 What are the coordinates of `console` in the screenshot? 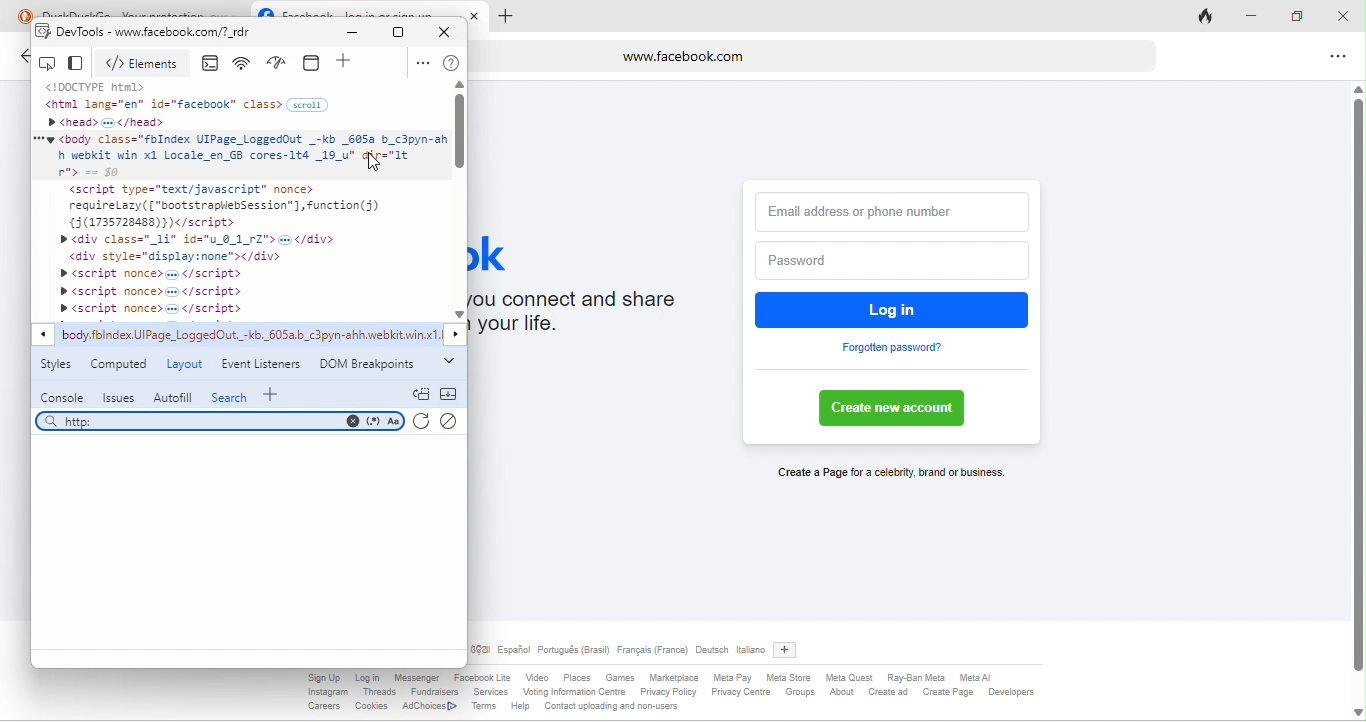 It's located at (63, 397).